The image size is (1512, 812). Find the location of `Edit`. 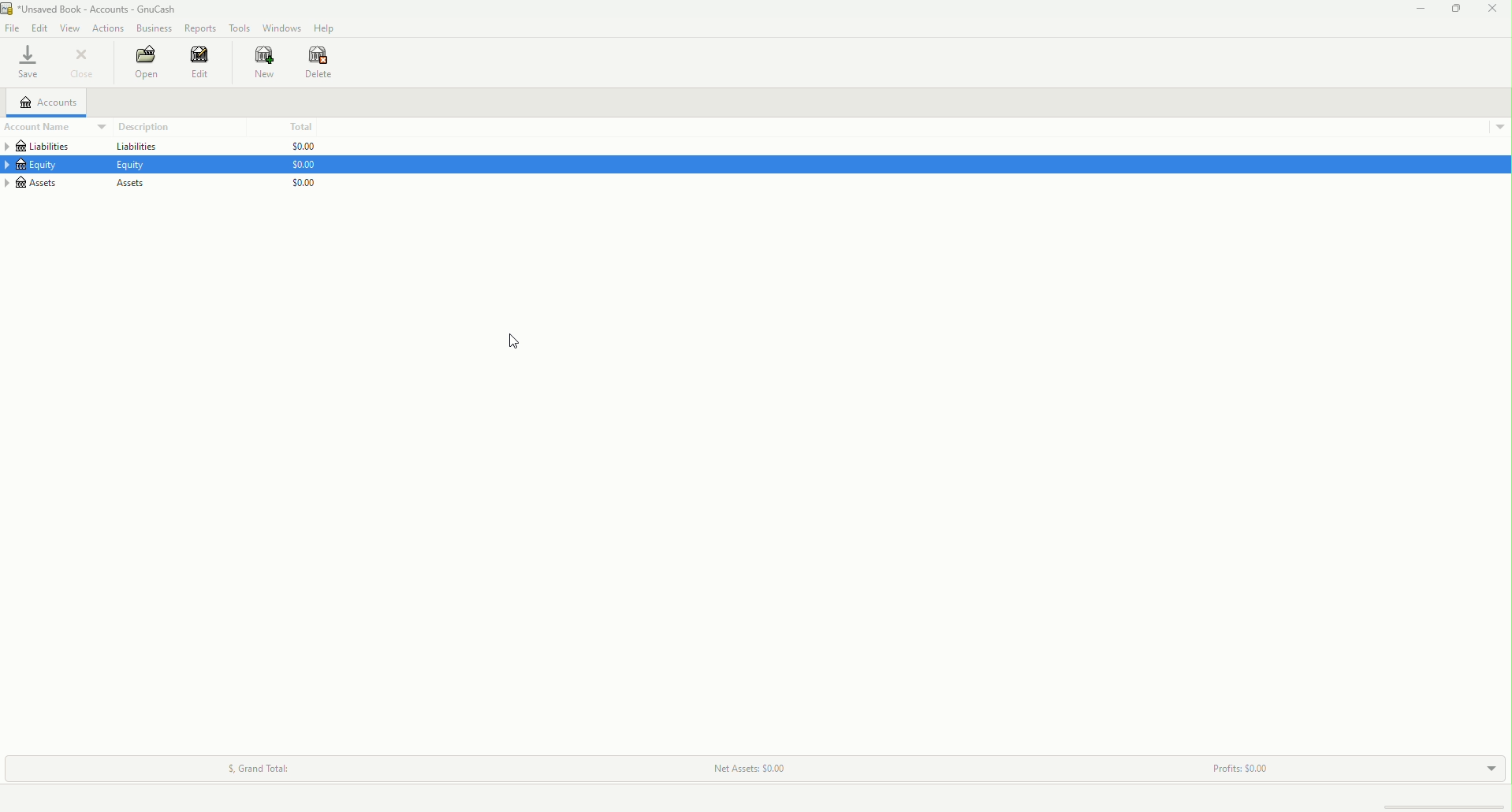

Edit is located at coordinates (203, 64).